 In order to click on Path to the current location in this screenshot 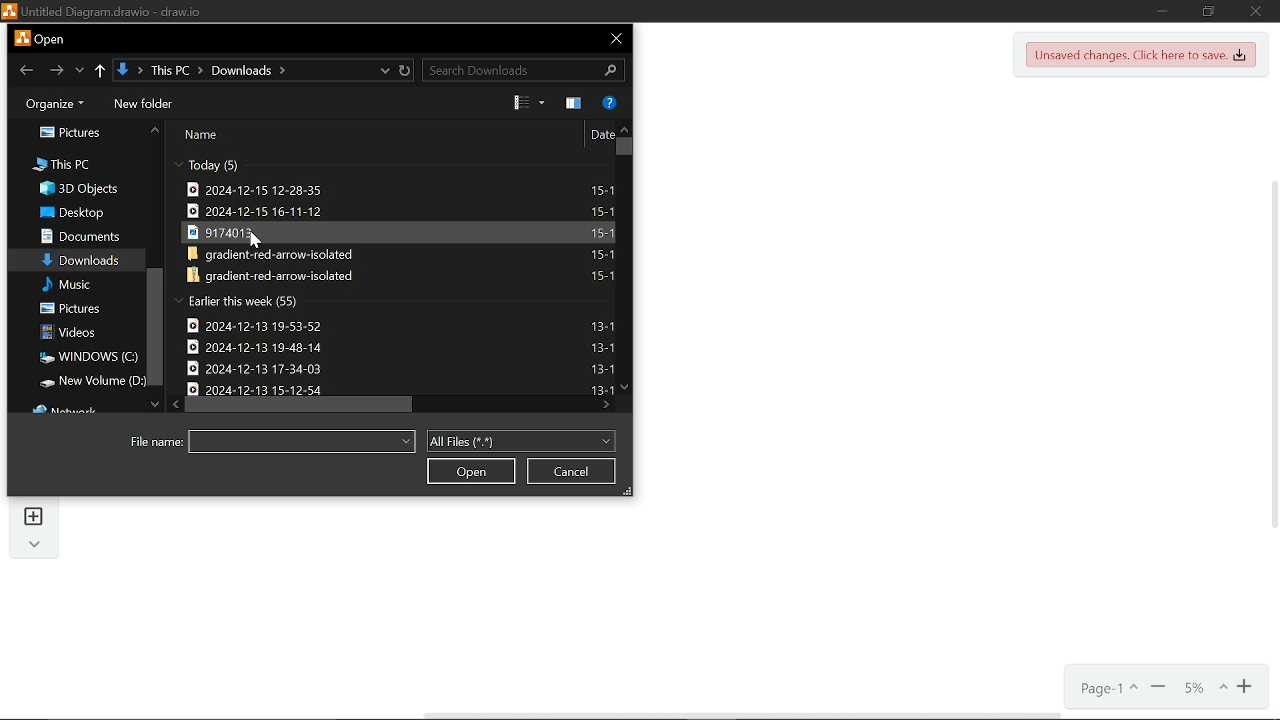, I will do `click(205, 72)`.